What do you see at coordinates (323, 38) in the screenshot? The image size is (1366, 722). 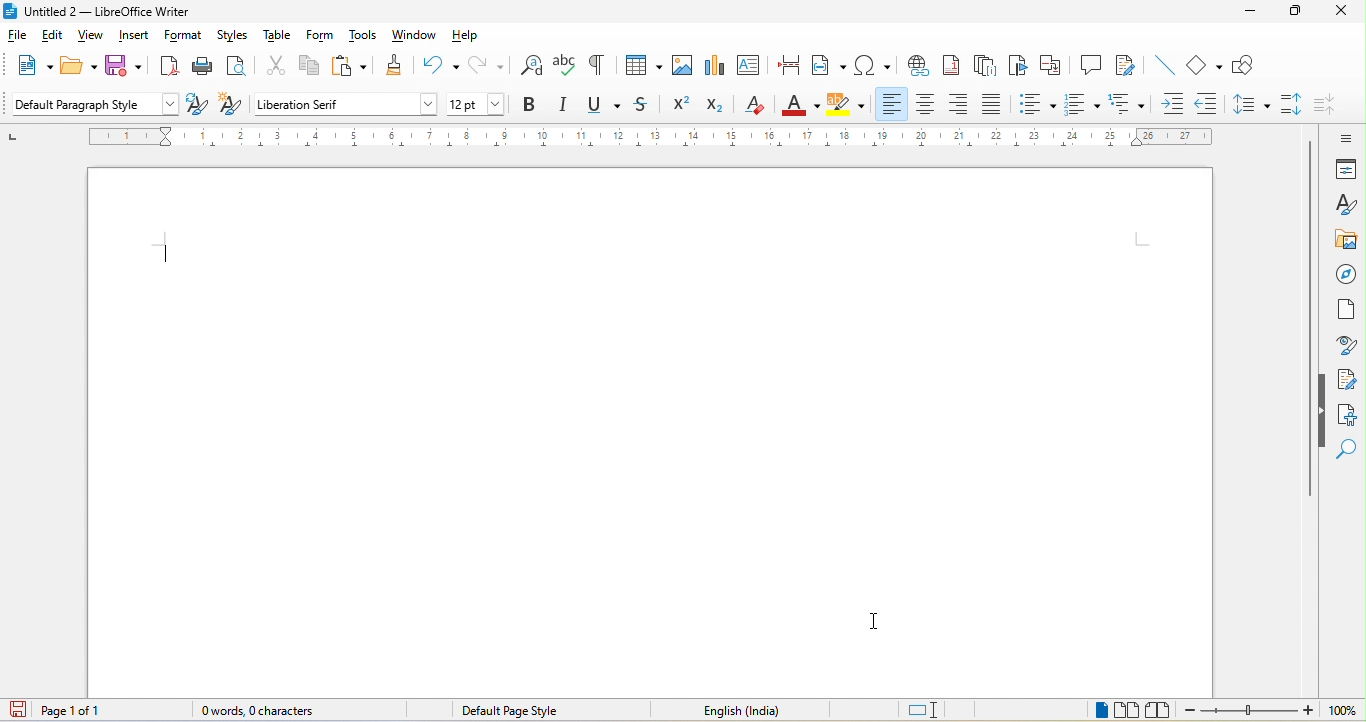 I see `form` at bounding box center [323, 38].